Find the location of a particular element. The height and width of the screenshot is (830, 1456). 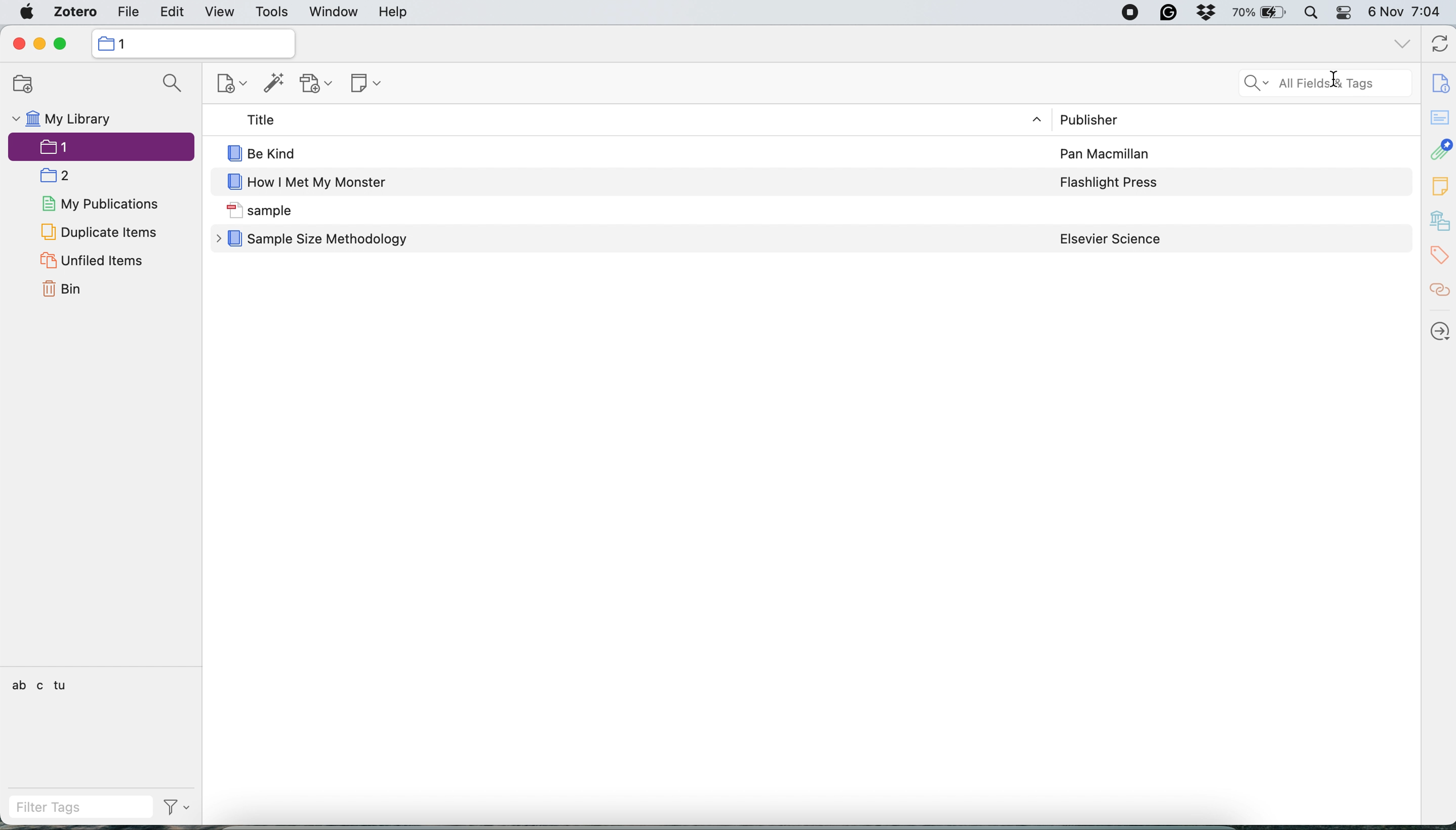

add attachment is located at coordinates (318, 84).